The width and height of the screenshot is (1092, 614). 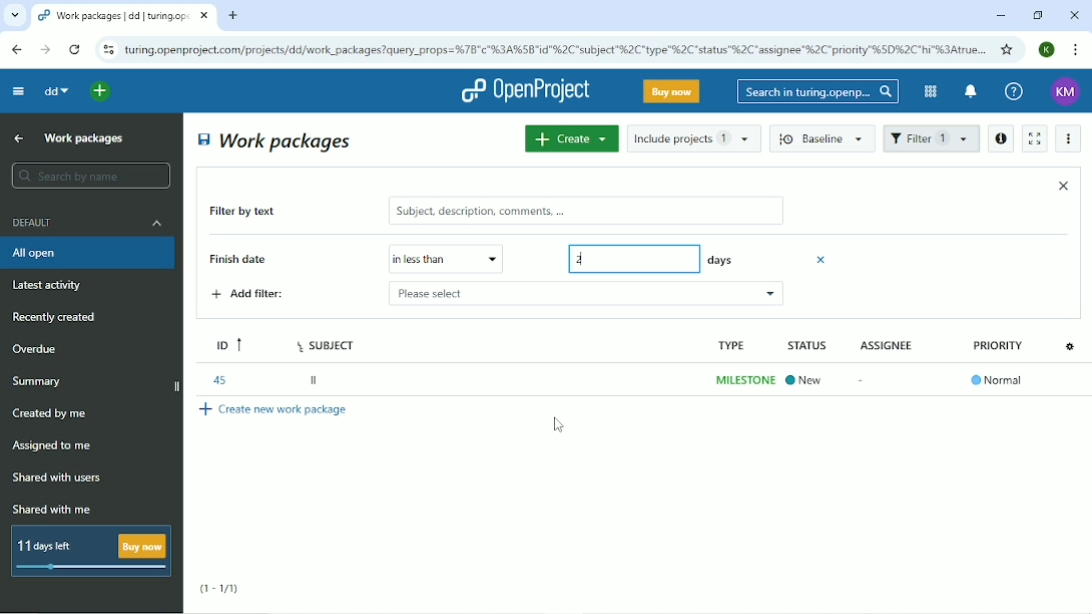 I want to click on Help, so click(x=1014, y=92).